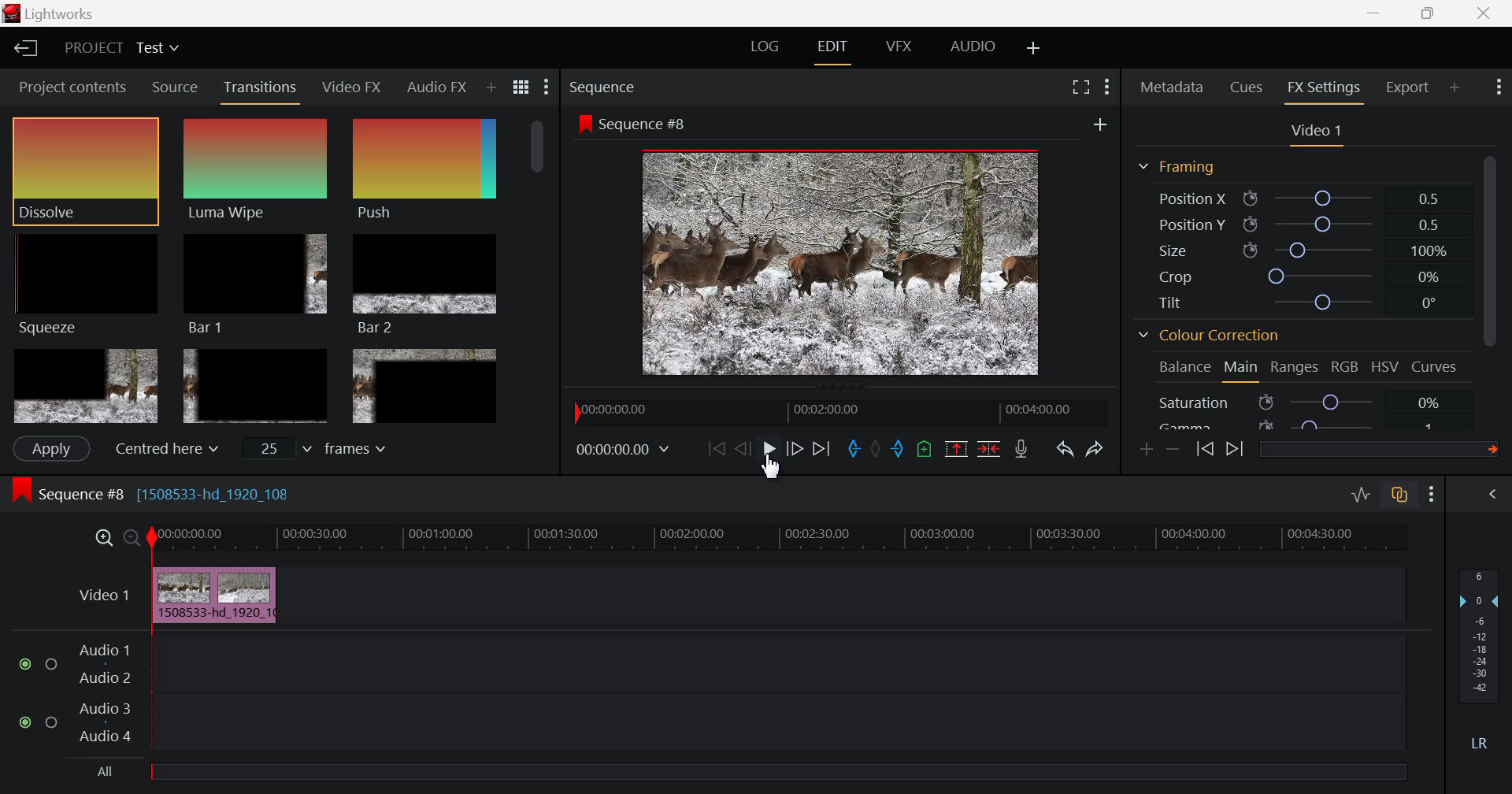  Describe the element at coordinates (539, 270) in the screenshot. I see `Scroll Bar` at that location.